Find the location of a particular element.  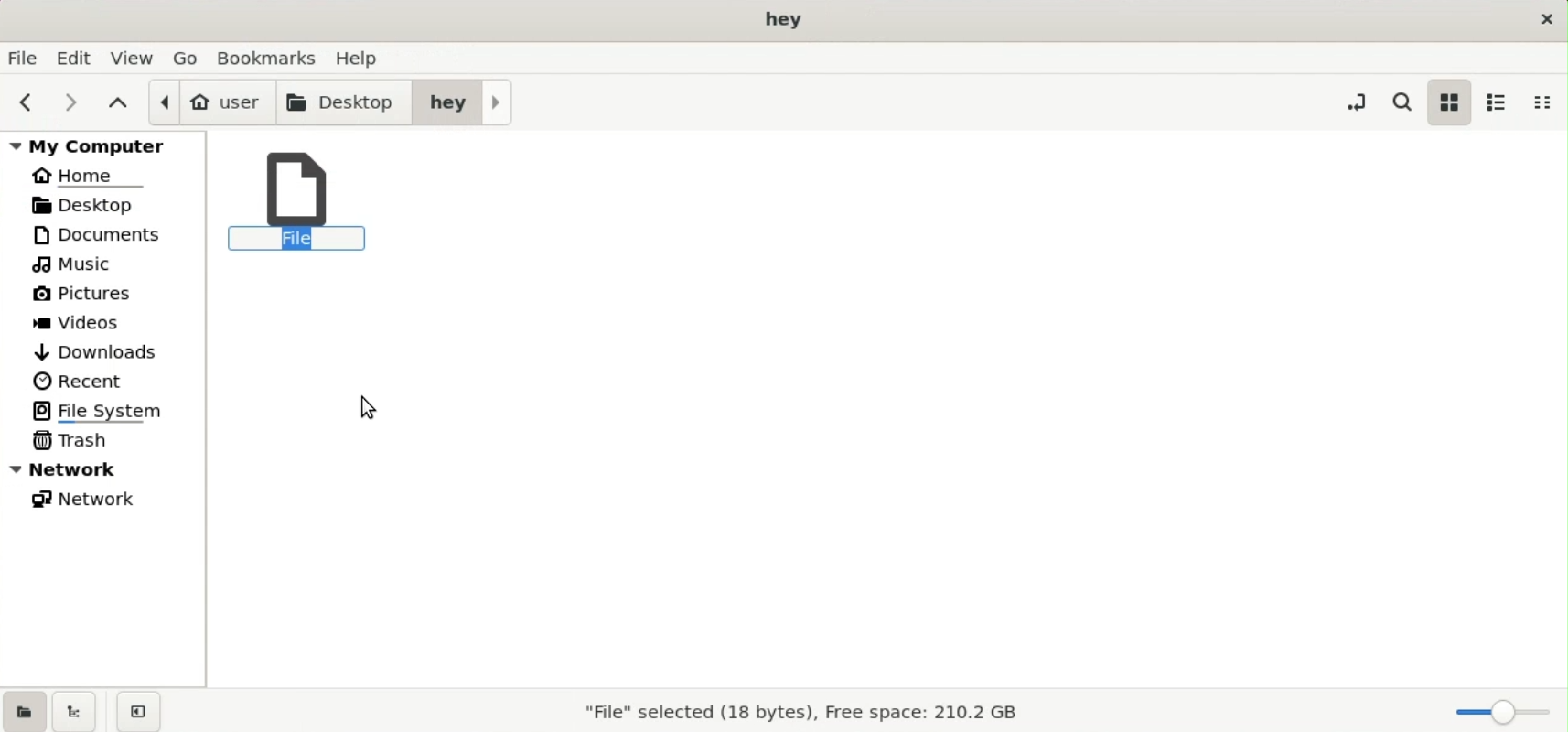

file is located at coordinates (297, 203).